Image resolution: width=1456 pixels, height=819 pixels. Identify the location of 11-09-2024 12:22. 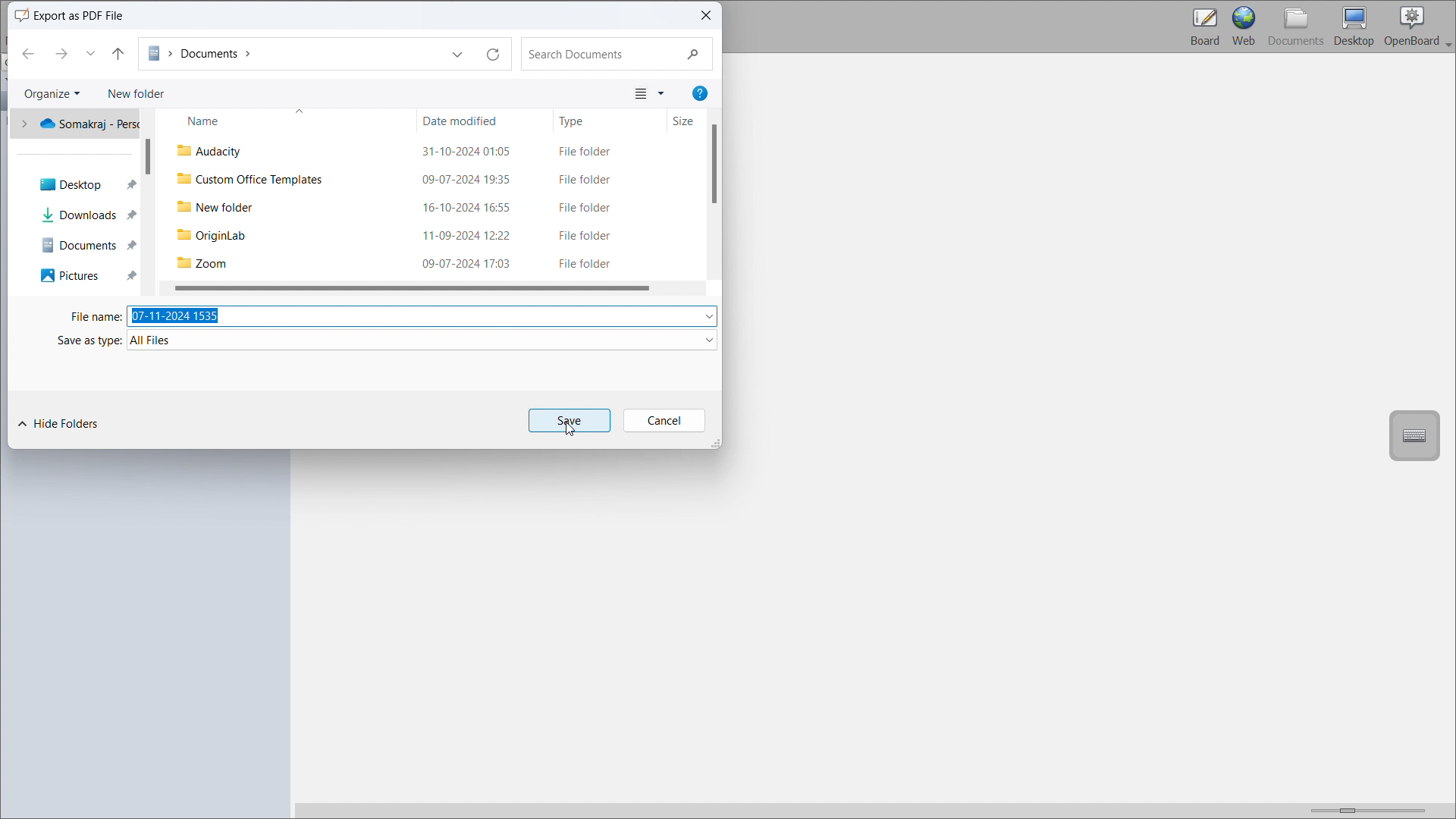
(475, 238).